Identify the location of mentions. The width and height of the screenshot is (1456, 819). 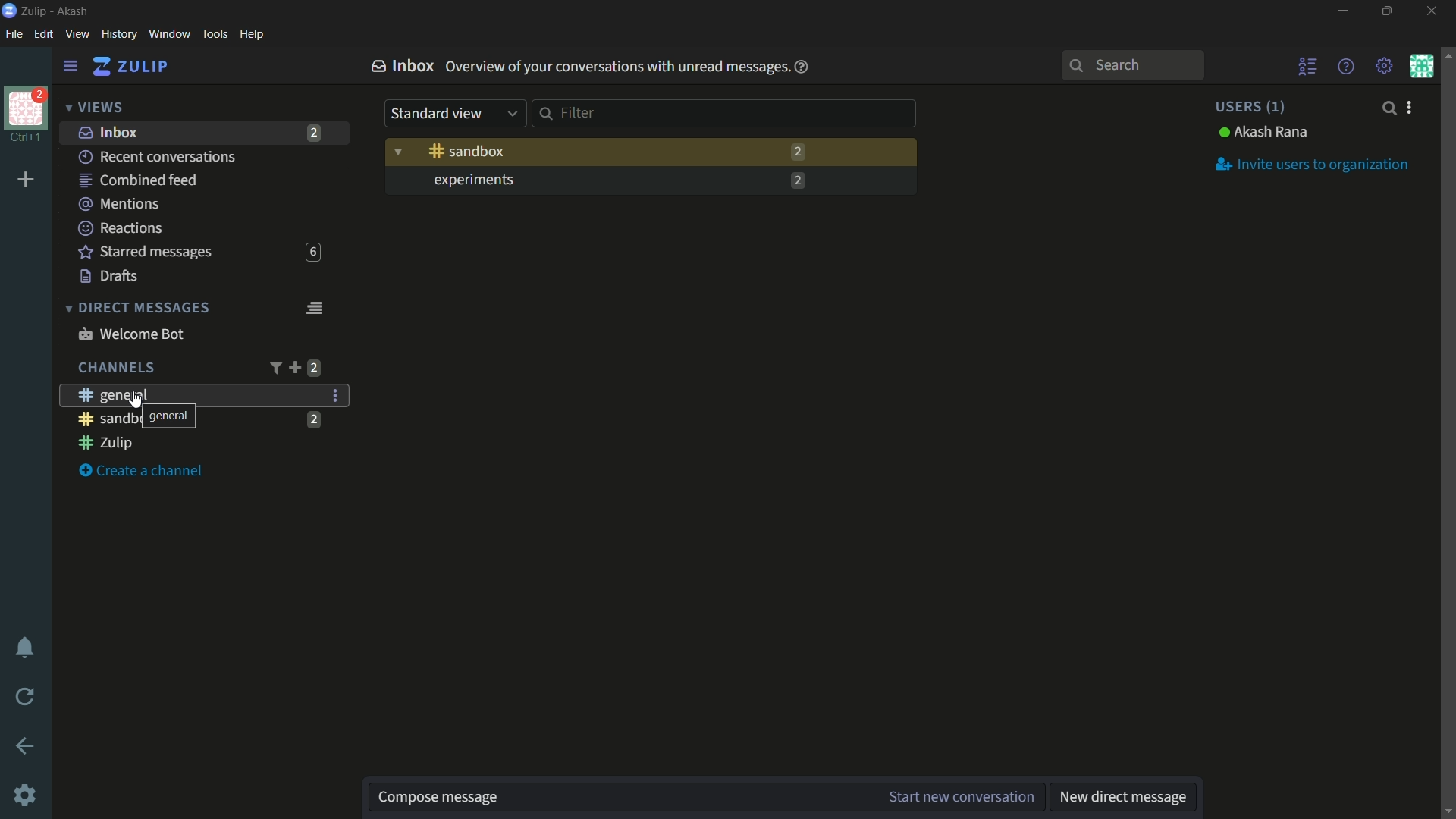
(121, 205).